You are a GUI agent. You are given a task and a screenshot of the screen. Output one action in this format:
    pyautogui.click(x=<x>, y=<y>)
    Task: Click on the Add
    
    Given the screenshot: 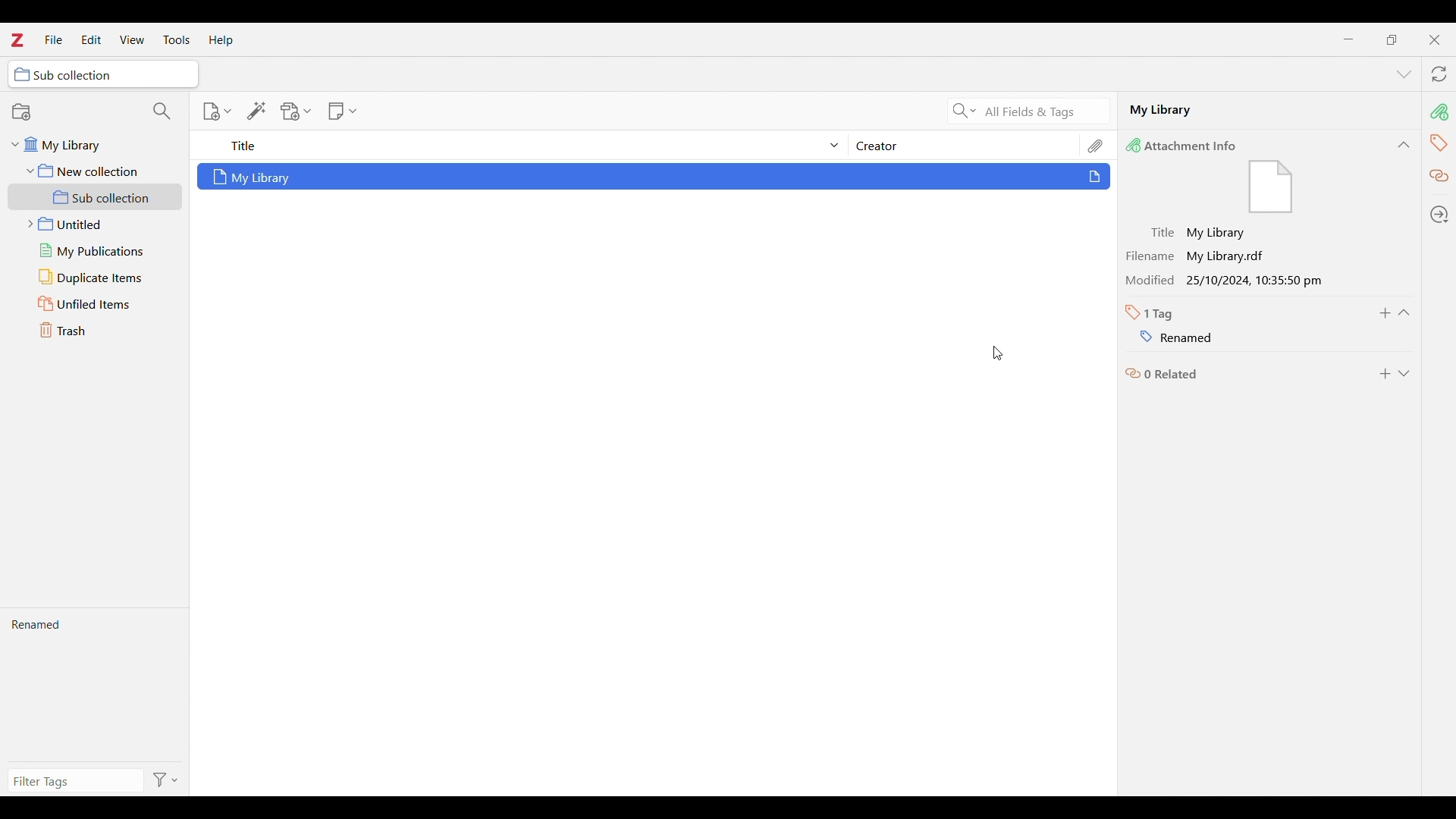 What is the action you would take?
    pyautogui.click(x=1385, y=374)
    